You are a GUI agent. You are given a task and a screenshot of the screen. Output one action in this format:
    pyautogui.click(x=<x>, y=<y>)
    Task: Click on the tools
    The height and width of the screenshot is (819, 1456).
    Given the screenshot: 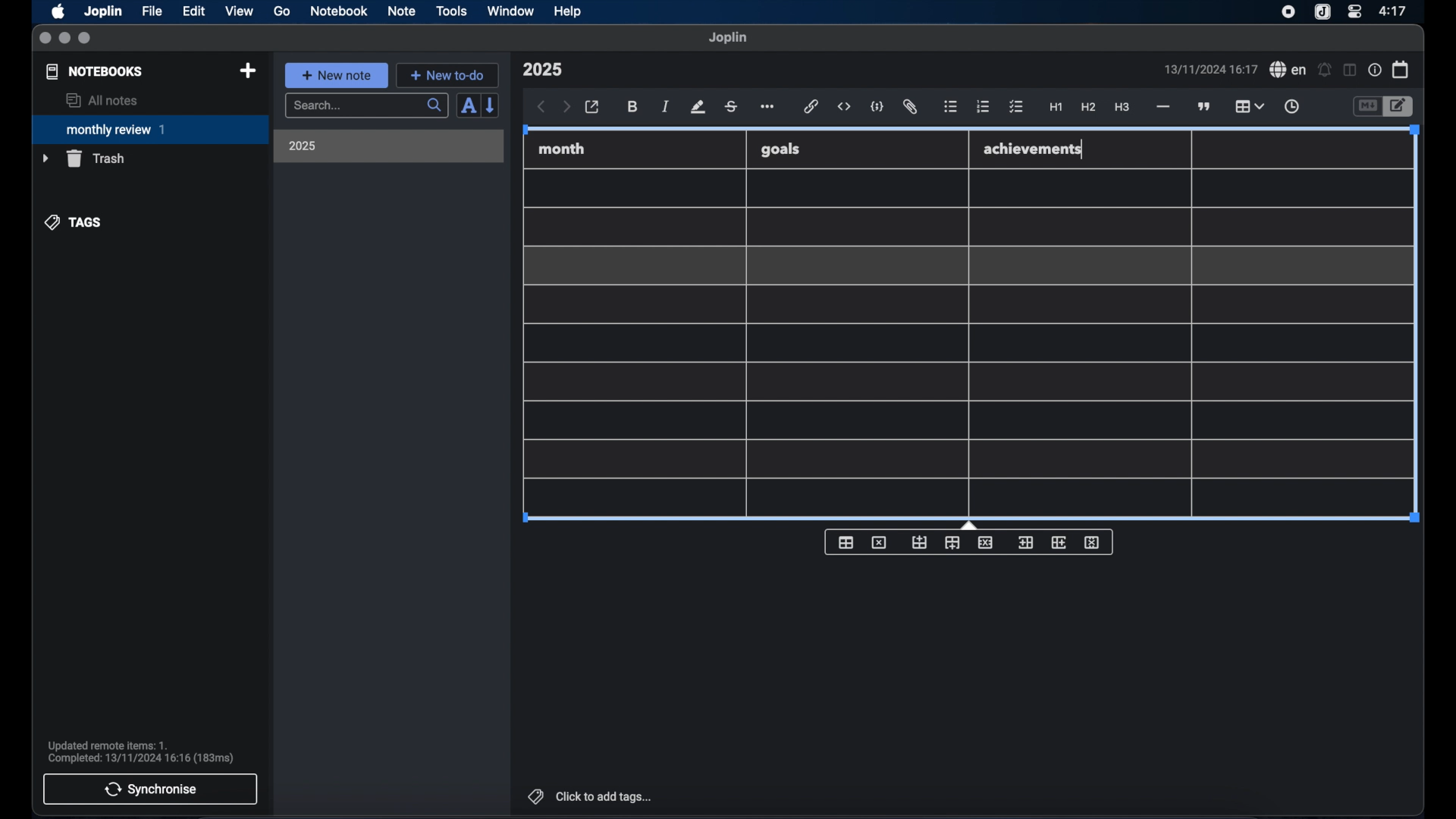 What is the action you would take?
    pyautogui.click(x=451, y=11)
    